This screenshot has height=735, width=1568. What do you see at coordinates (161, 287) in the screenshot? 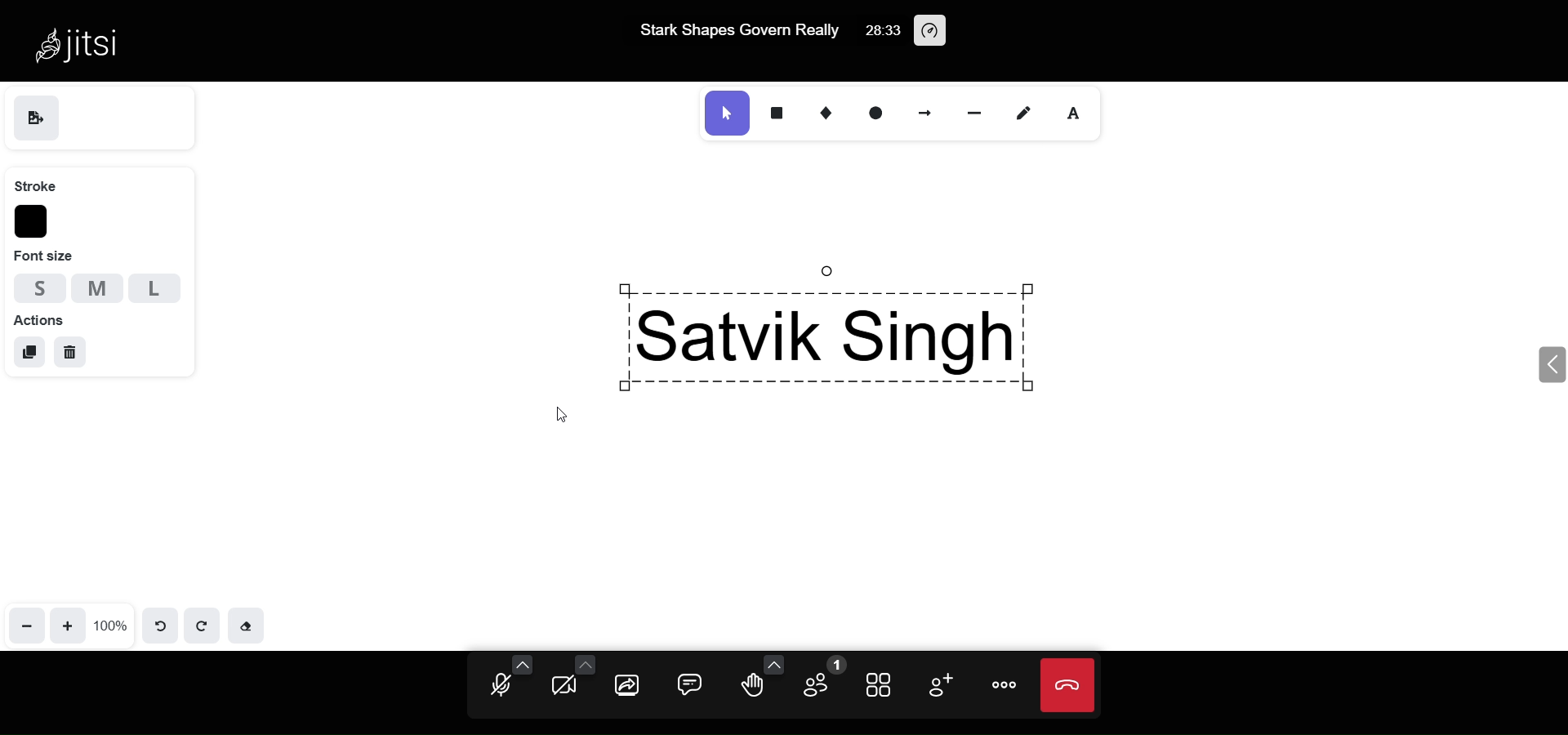
I see `Large` at bounding box center [161, 287].